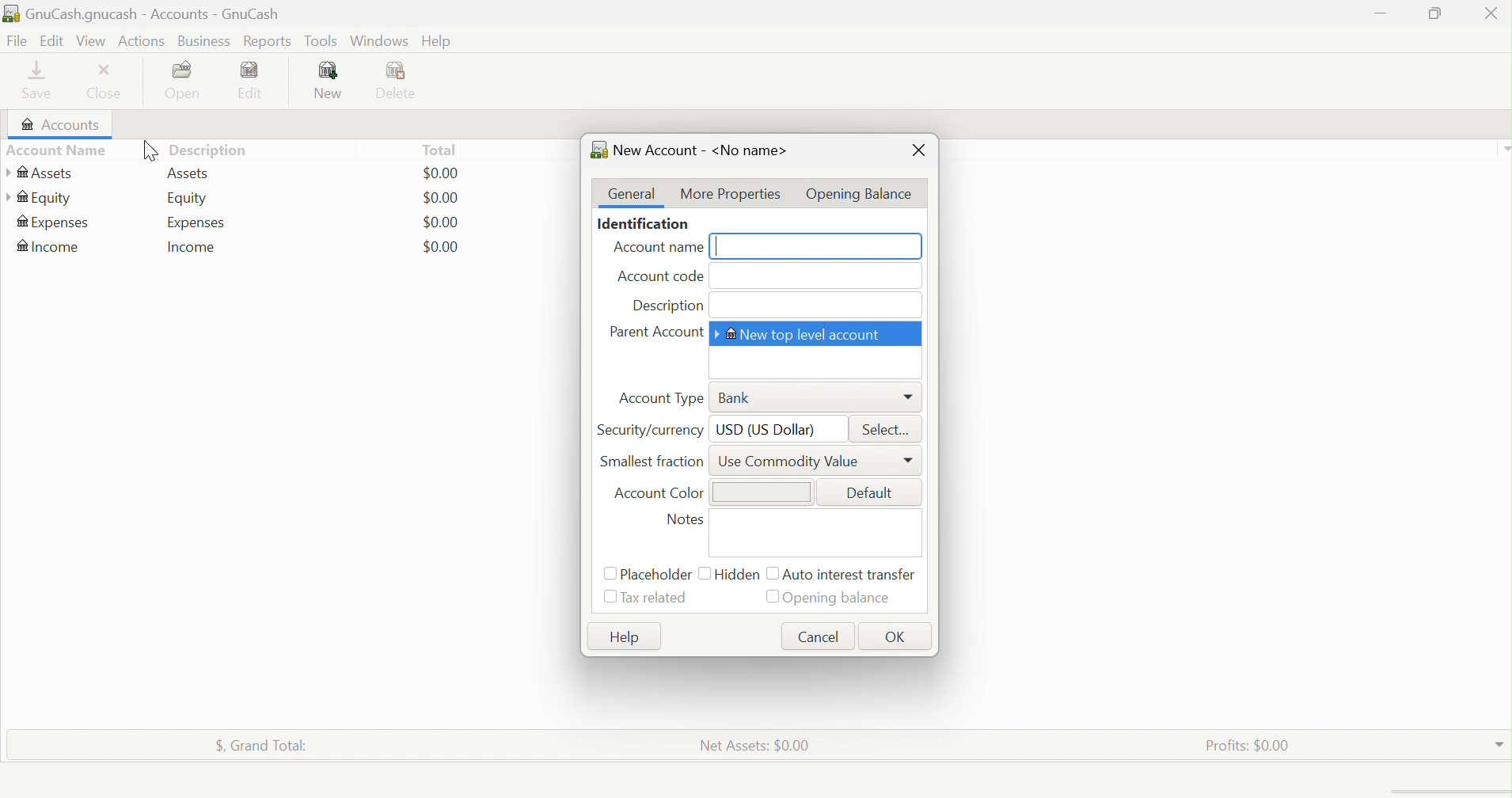 Image resolution: width=1512 pixels, height=798 pixels. What do you see at coordinates (898, 636) in the screenshot?
I see `OK` at bounding box center [898, 636].